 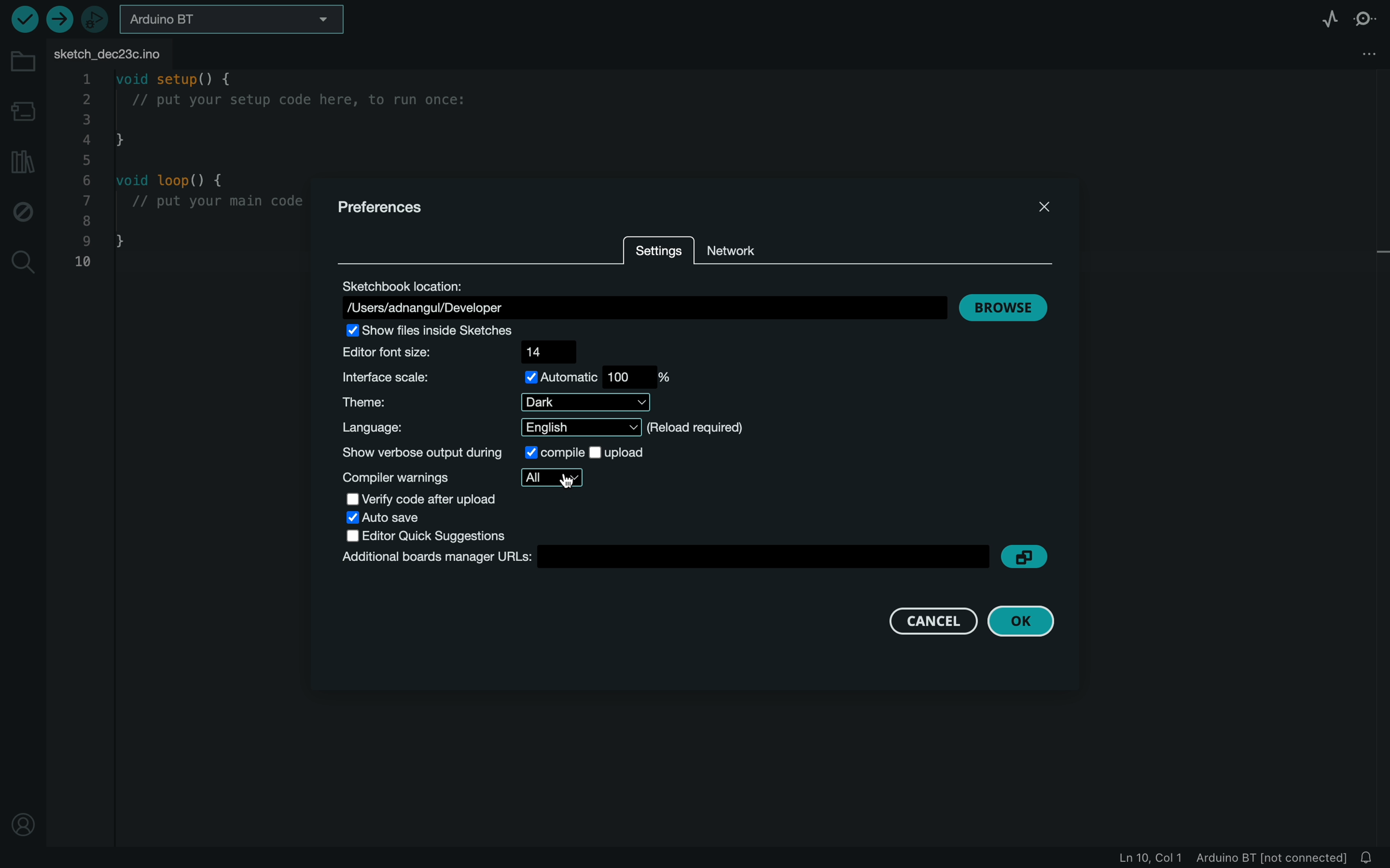 I want to click on verify code, so click(x=418, y=499).